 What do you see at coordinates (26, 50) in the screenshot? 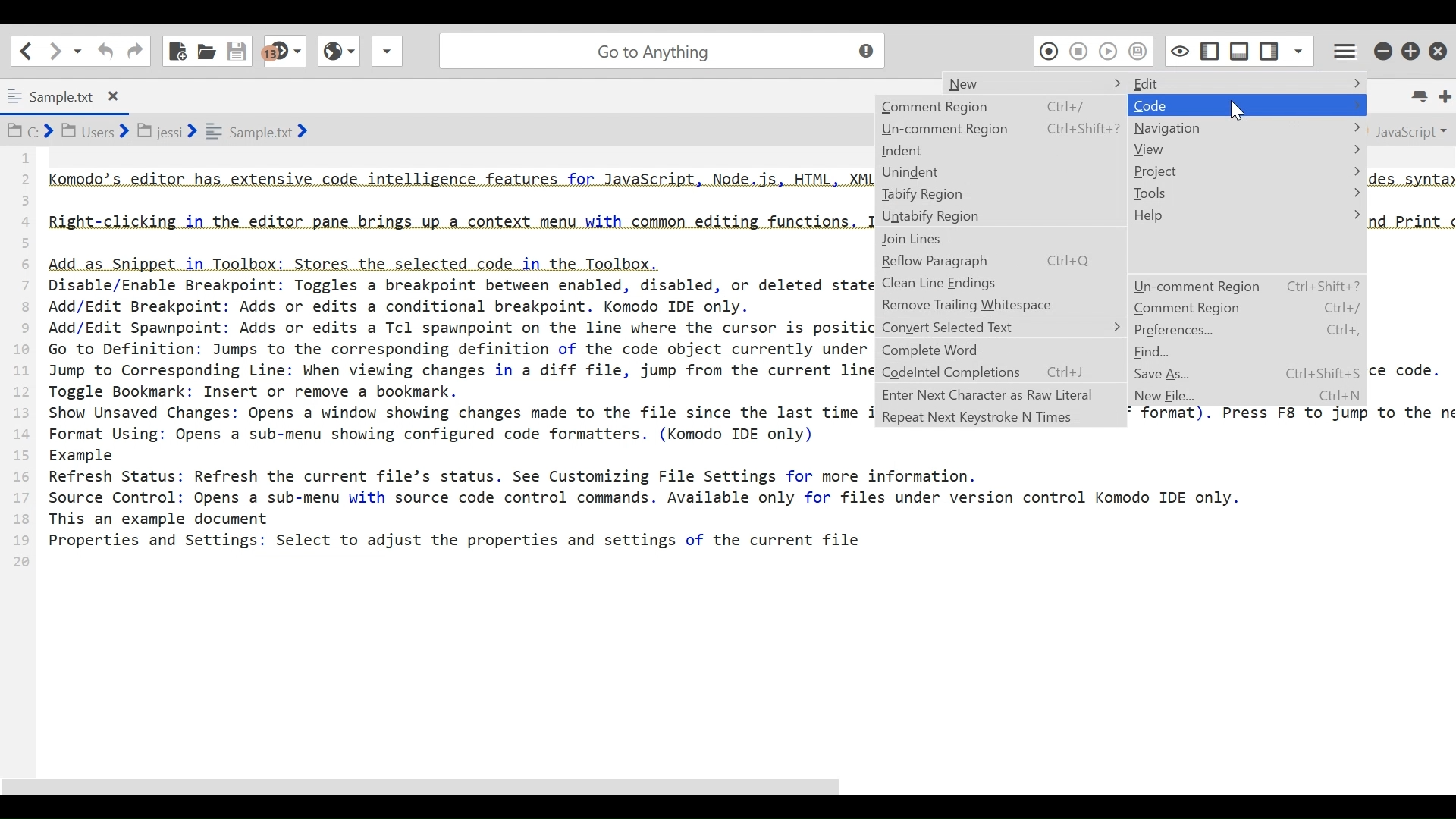
I see `Go back one location` at bounding box center [26, 50].